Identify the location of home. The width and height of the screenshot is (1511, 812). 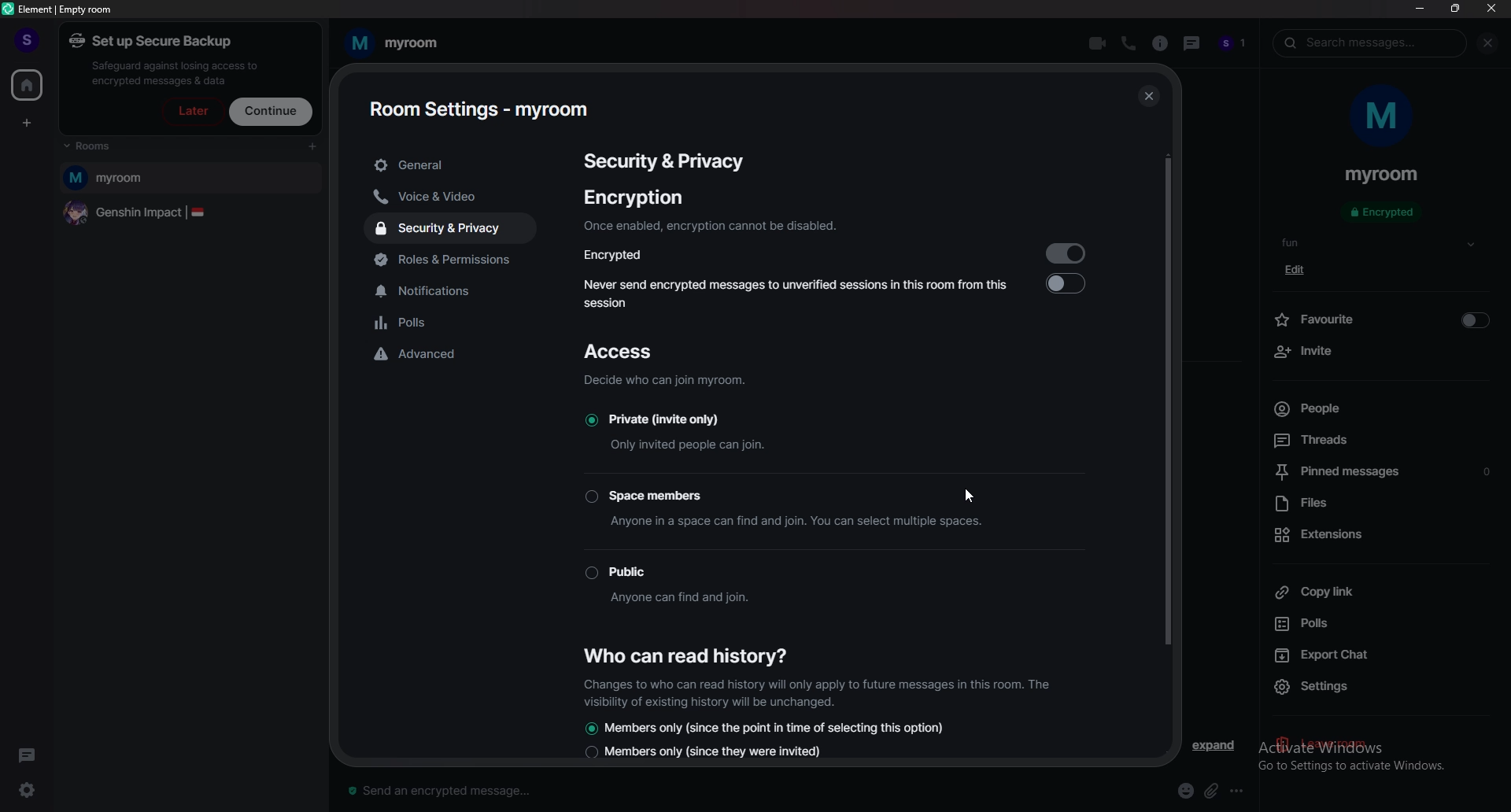
(28, 85).